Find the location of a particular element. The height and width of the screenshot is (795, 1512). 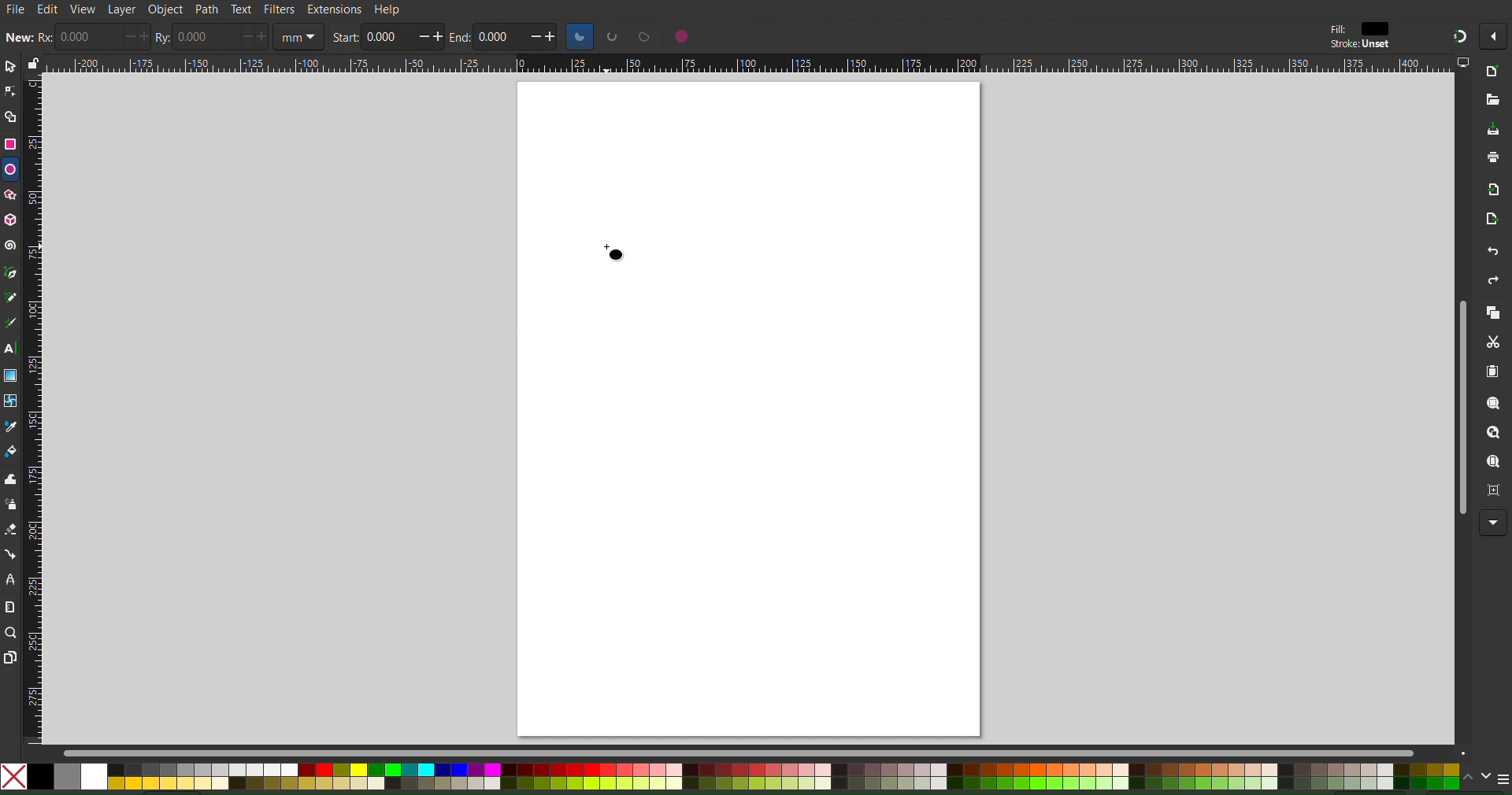

Object is located at coordinates (165, 10).